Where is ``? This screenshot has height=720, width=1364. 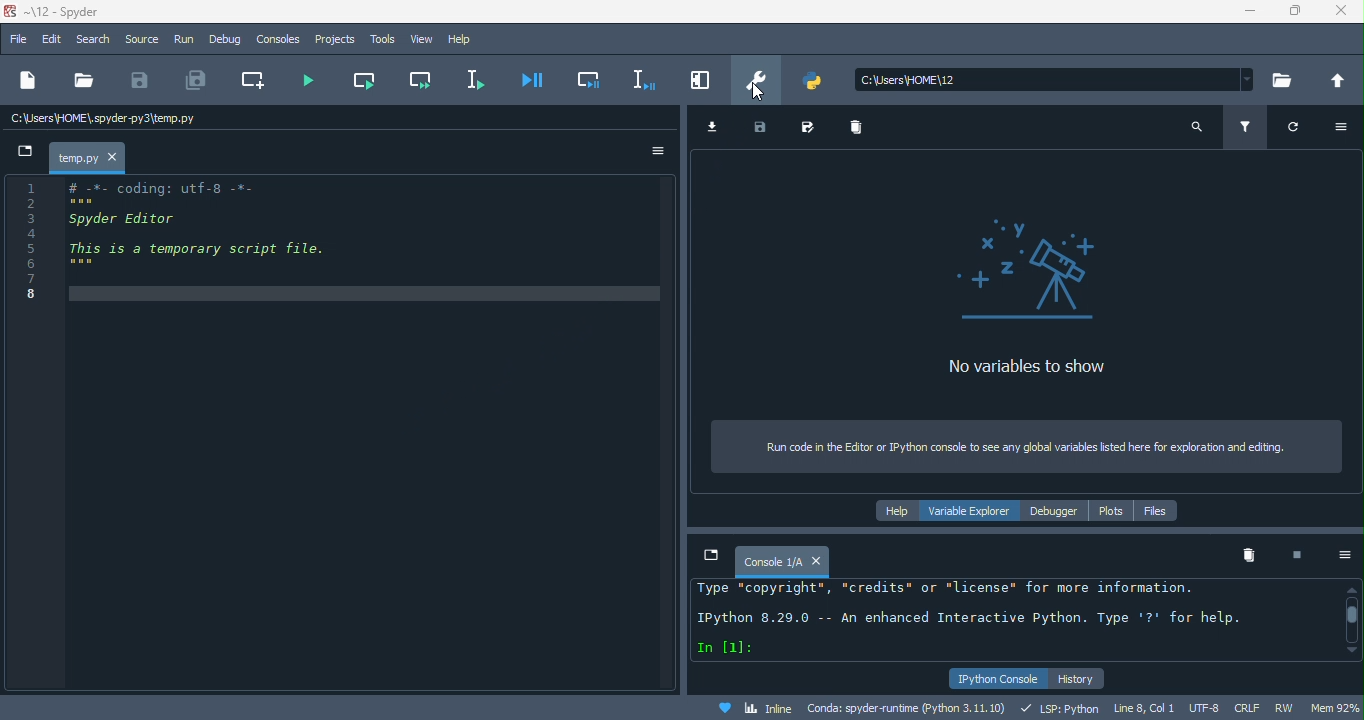  is located at coordinates (1340, 80).